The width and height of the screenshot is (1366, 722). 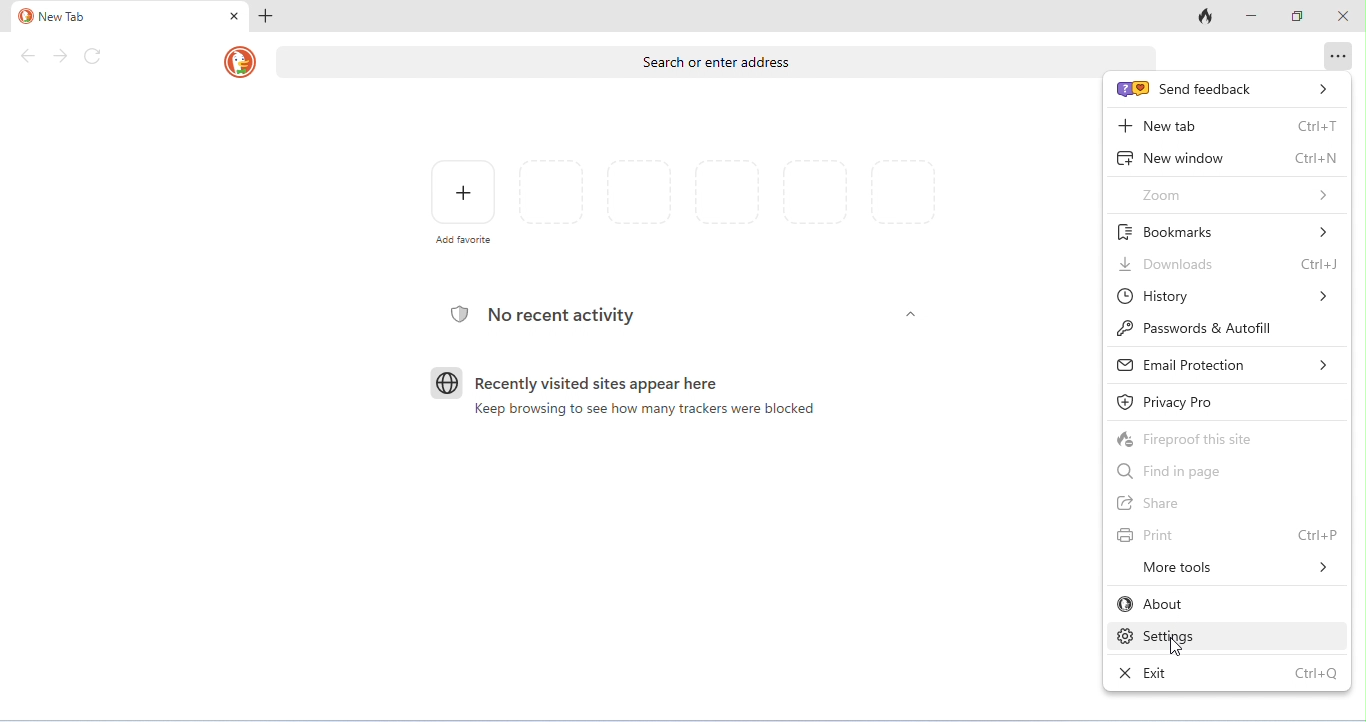 What do you see at coordinates (1228, 671) in the screenshot?
I see `exit` at bounding box center [1228, 671].